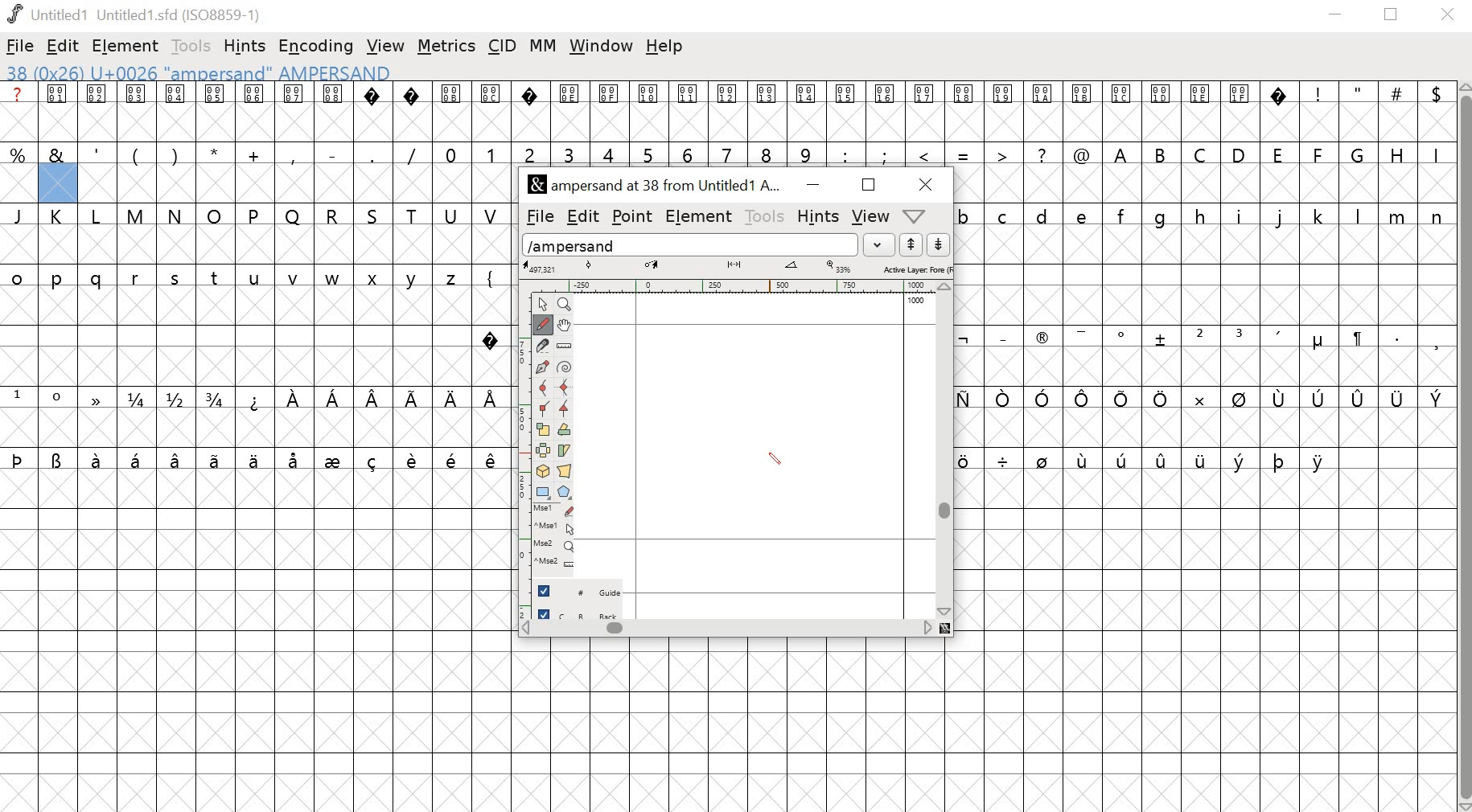 Image resolution: width=1472 pixels, height=812 pixels. Describe the element at coordinates (1359, 399) in the screenshot. I see `symbol` at that location.